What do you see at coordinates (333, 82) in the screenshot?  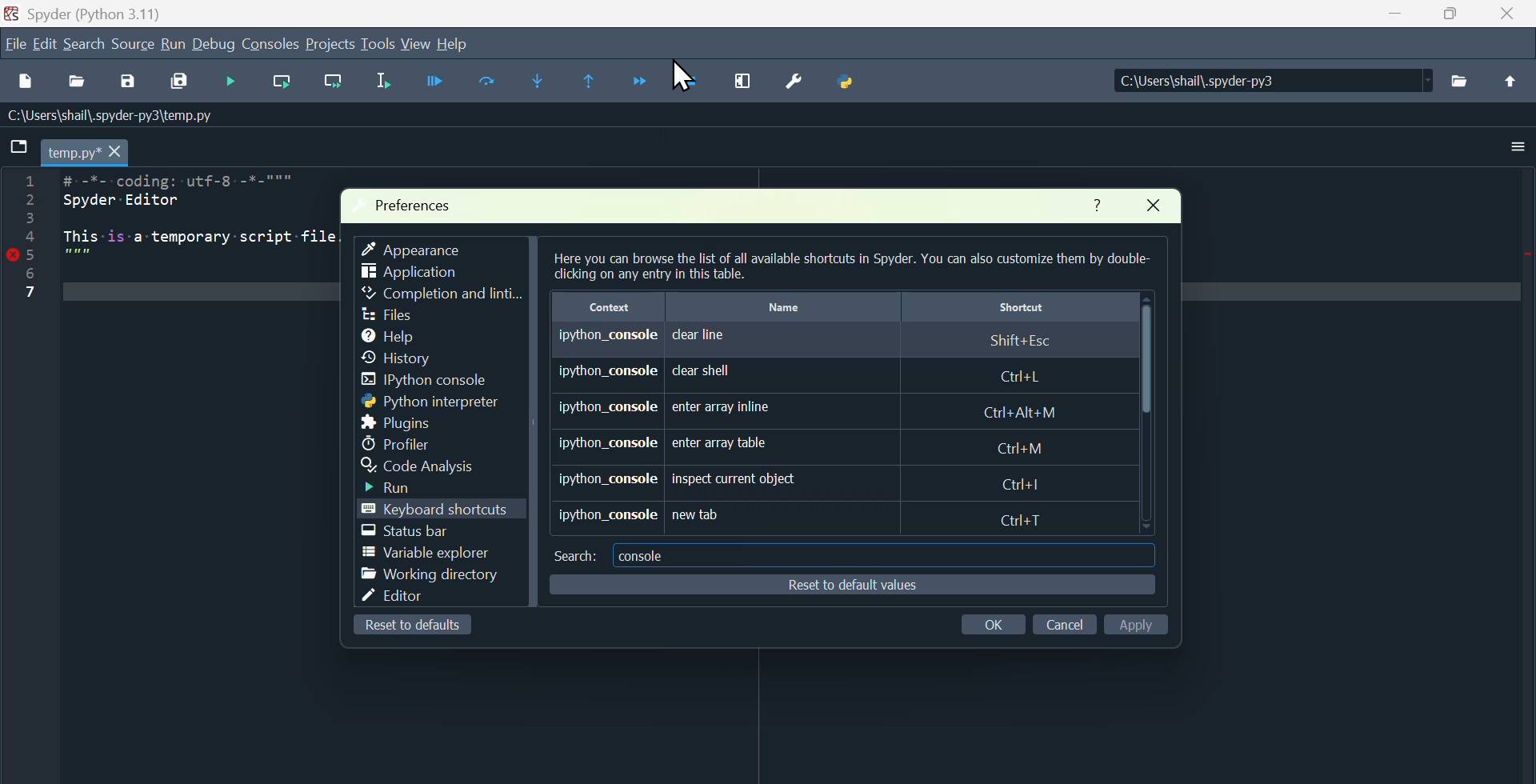 I see `Run current line and go to the next one` at bounding box center [333, 82].